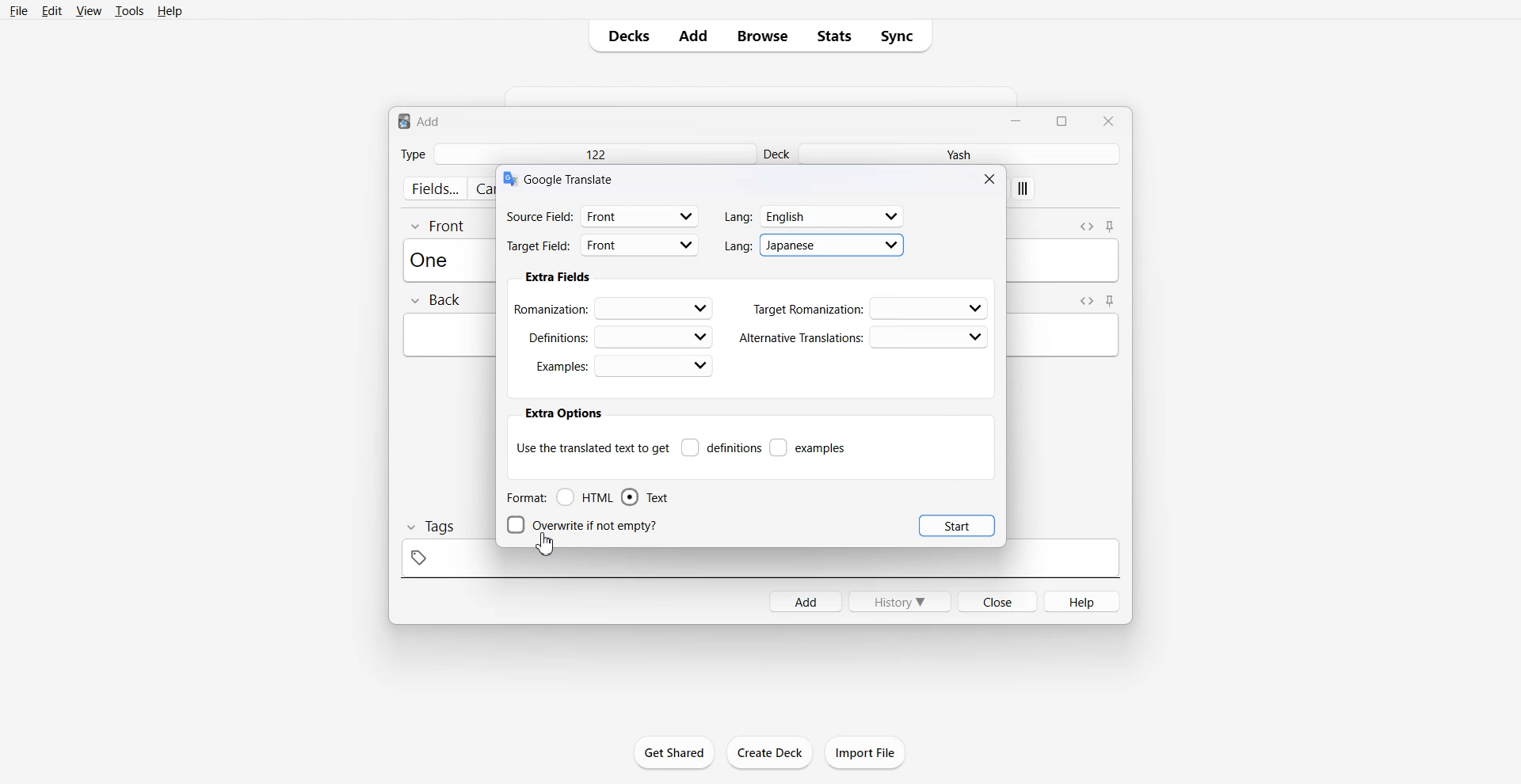 This screenshot has width=1521, height=784. What do you see at coordinates (429, 527) in the screenshot?
I see `Tags` at bounding box center [429, 527].